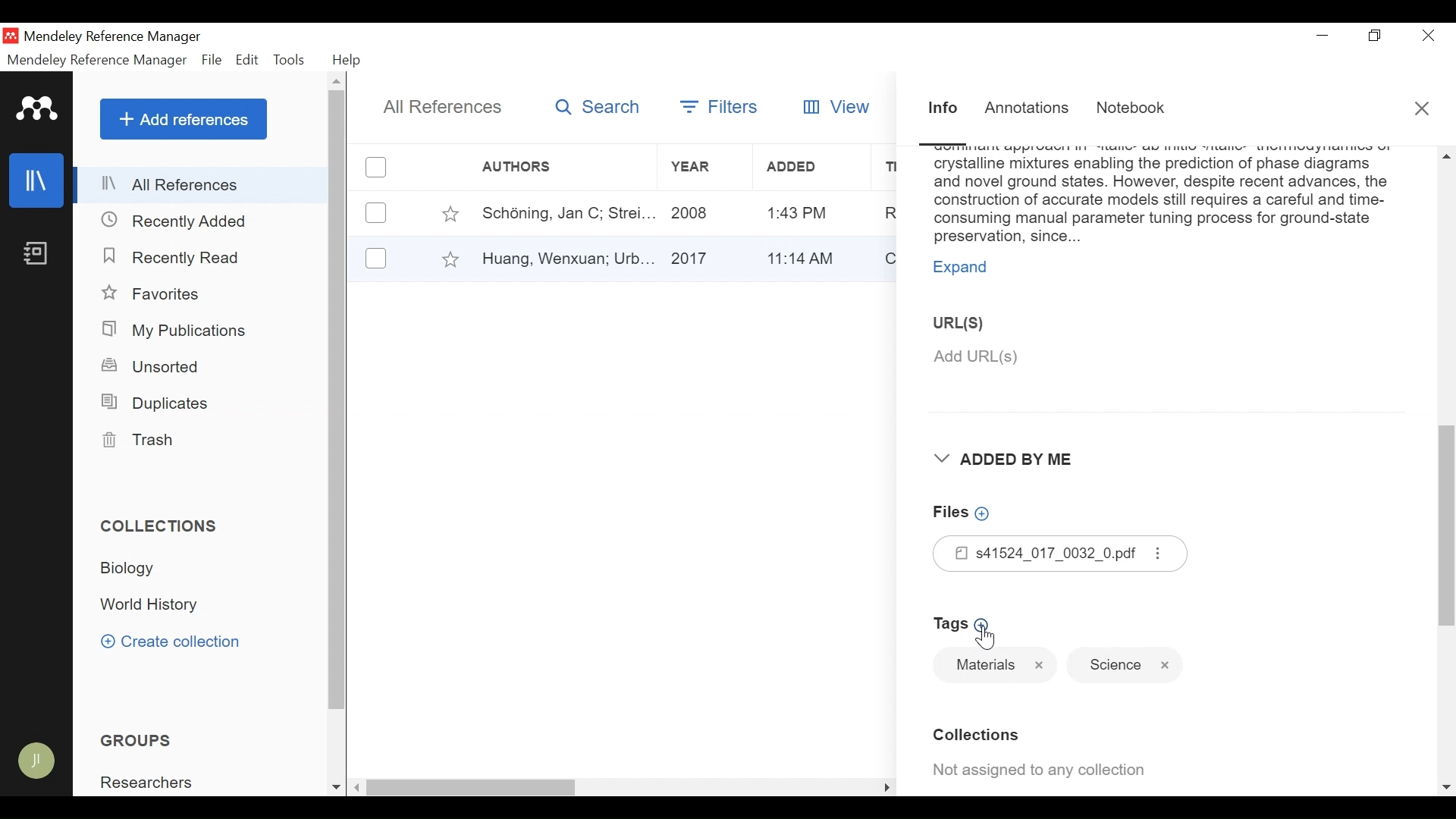 This screenshot has width=1456, height=819. Describe the element at coordinates (1064, 357) in the screenshot. I see `Add URL(S)` at that location.